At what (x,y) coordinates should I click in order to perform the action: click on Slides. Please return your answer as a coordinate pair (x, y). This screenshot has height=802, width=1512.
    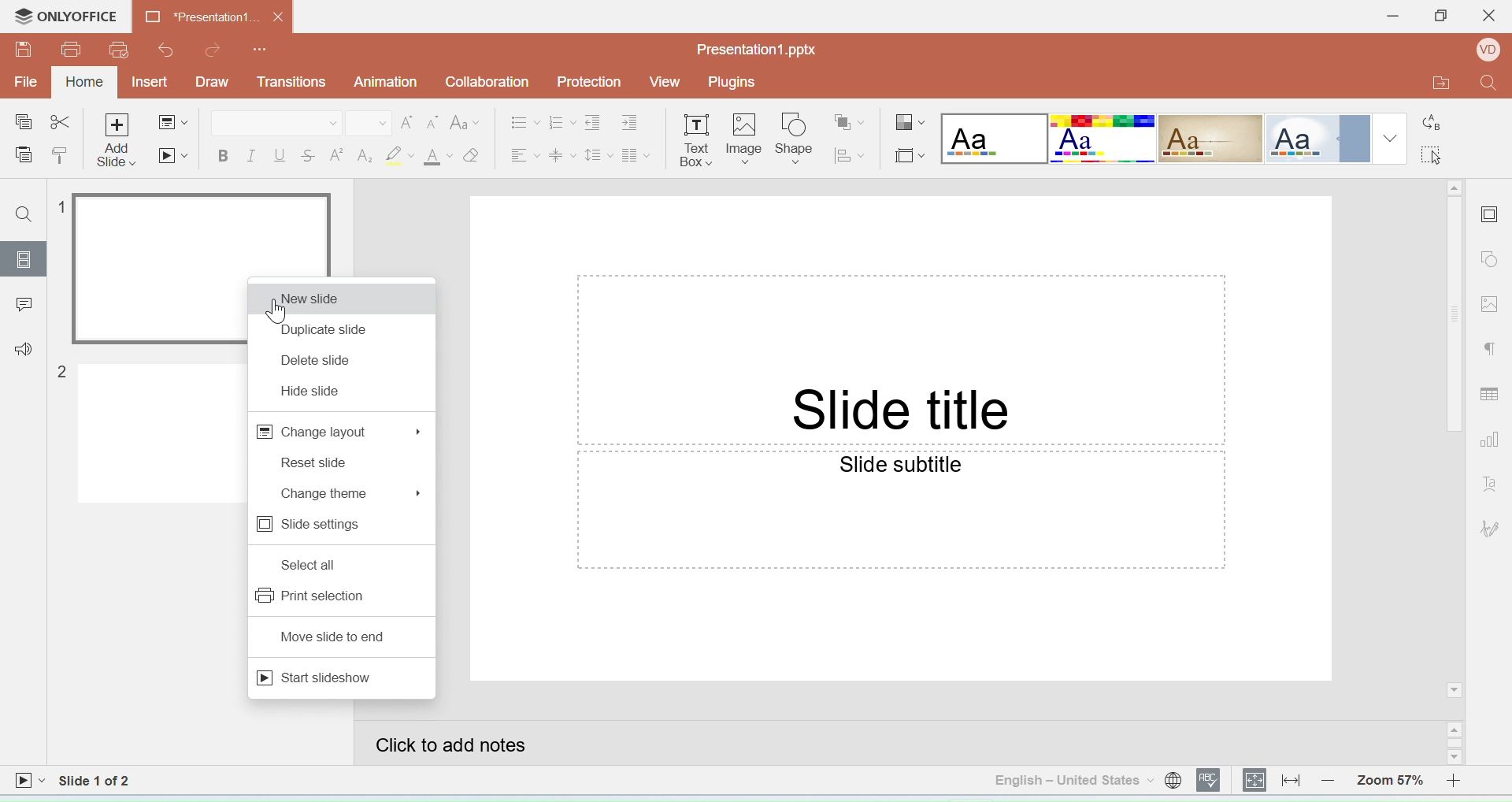
    Looking at the image, I should click on (23, 259).